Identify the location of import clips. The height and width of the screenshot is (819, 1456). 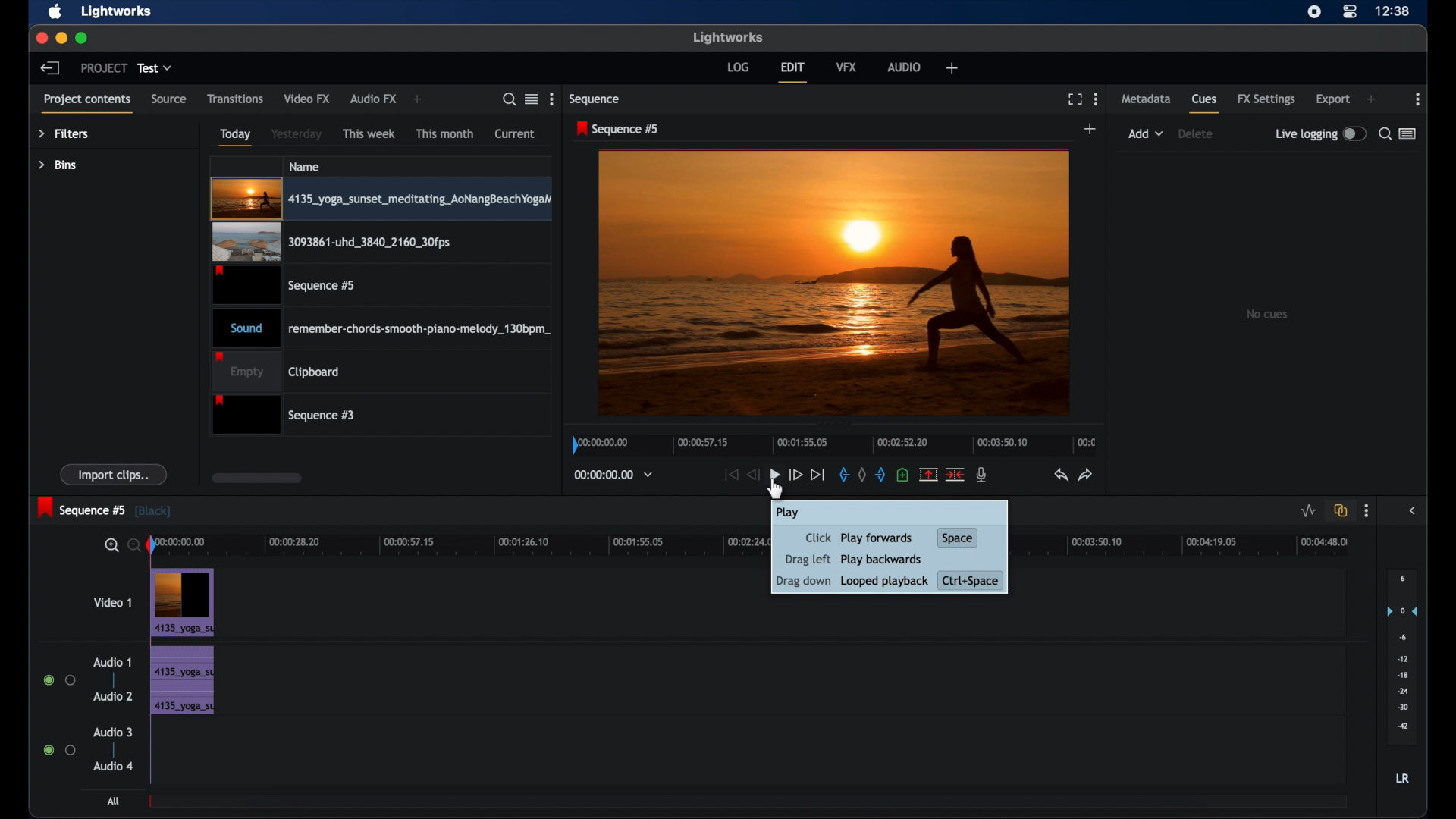
(113, 475).